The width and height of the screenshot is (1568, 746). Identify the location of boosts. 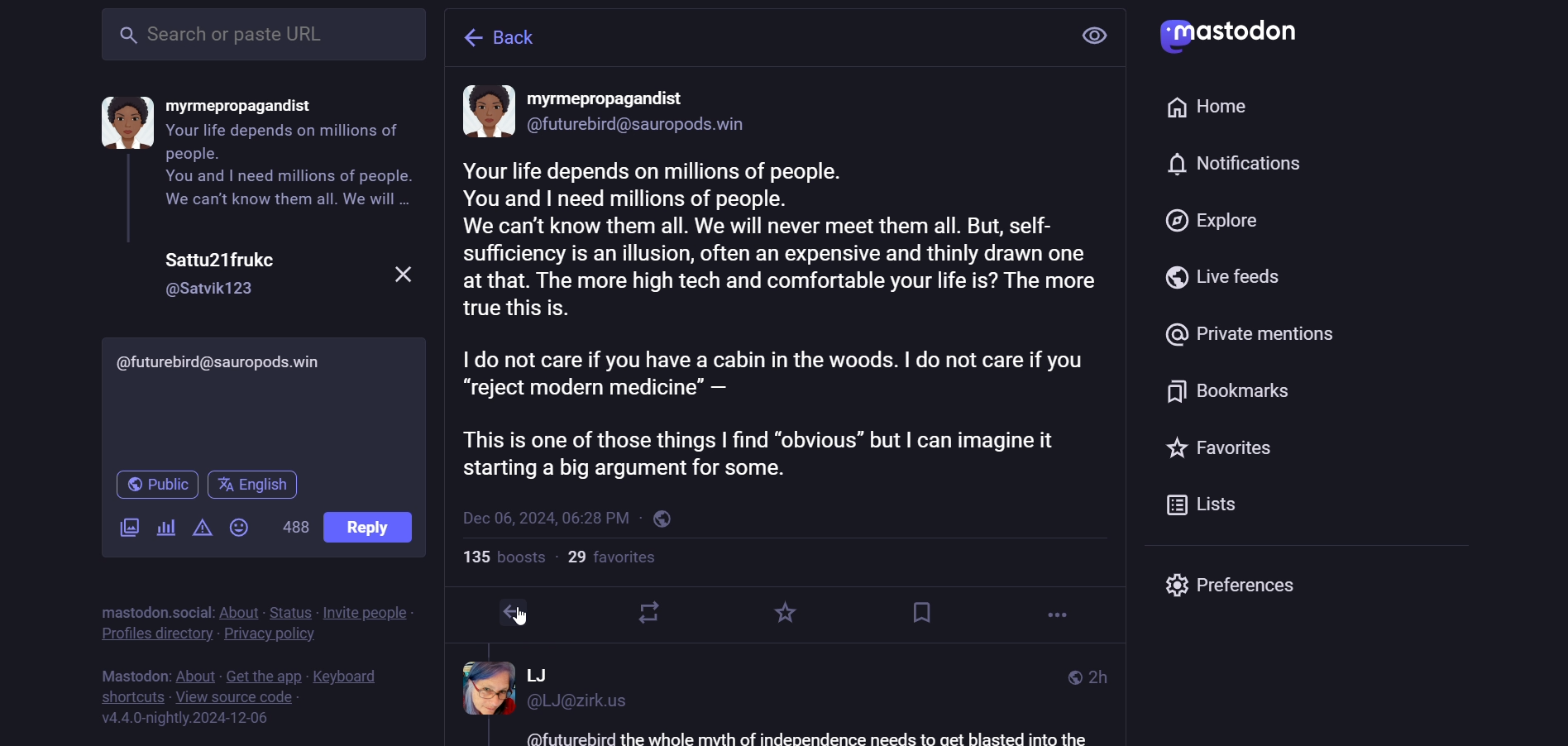
(502, 557).